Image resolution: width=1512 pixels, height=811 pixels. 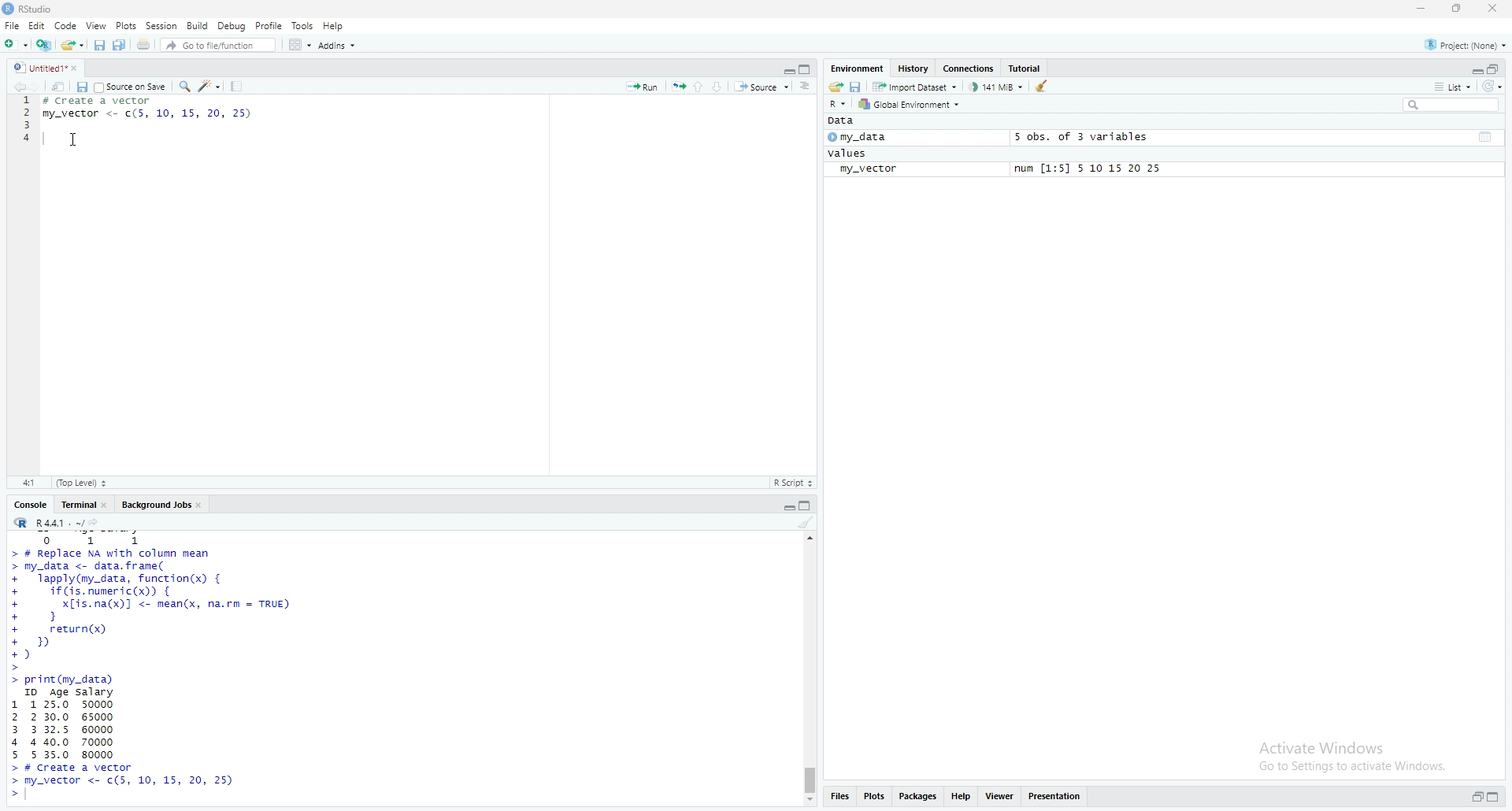 What do you see at coordinates (82, 505) in the screenshot?
I see `terminal` at bounding box center [82, 505].